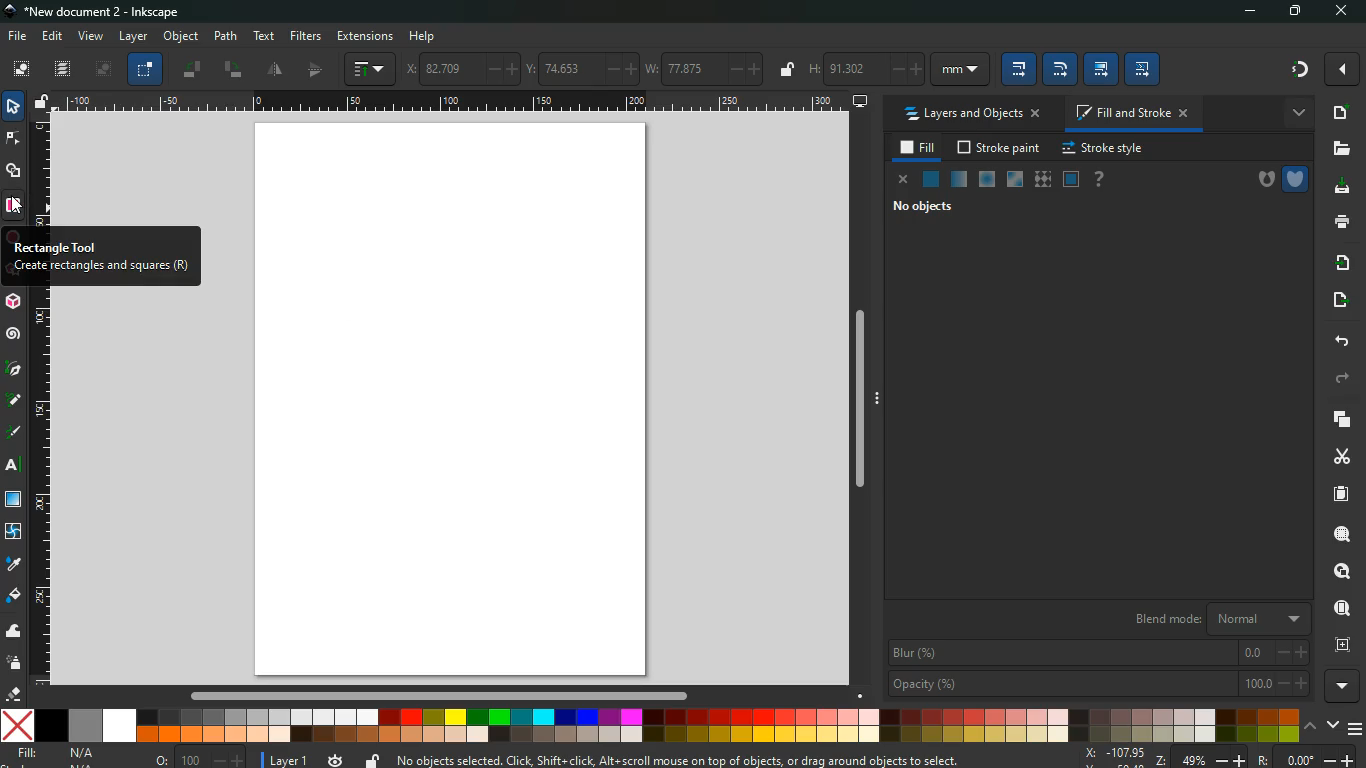  What do you see at coordinates (1212, 619) in the screenshot?
I see `blend mode` at bounding box center [1212, 619].